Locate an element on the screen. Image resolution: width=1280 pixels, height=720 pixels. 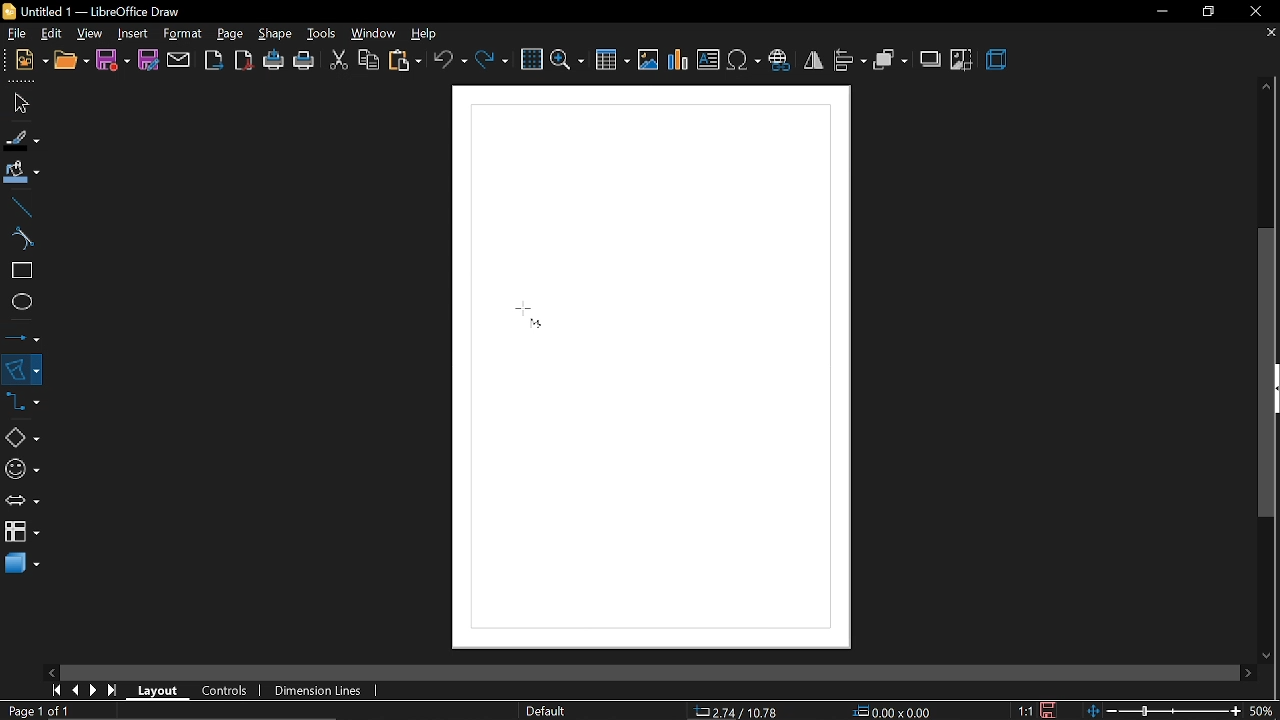
vertical scrollbar is located at coordinates (1268, 373).